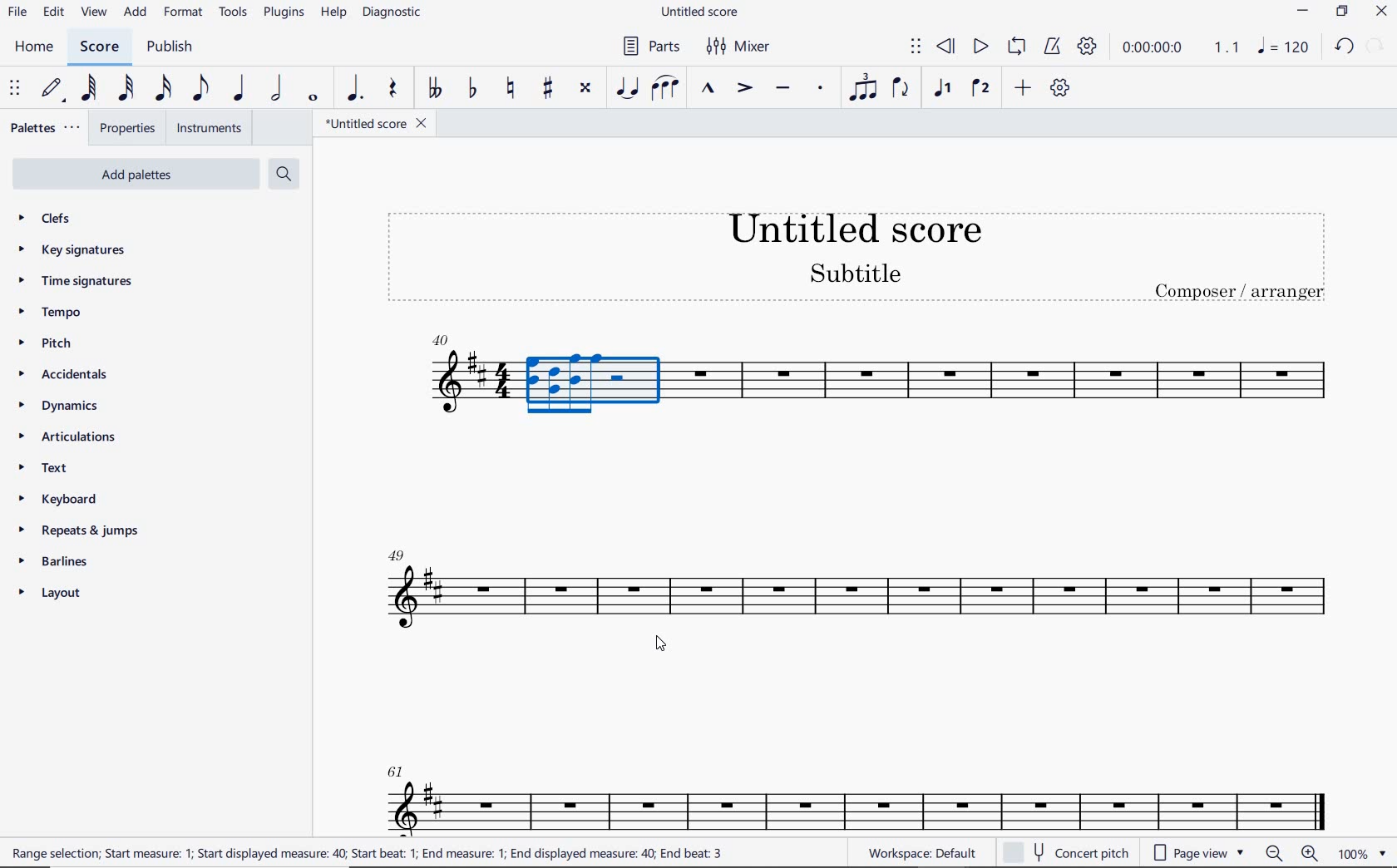  I want to click on METRONOME, so click(1052, 47).